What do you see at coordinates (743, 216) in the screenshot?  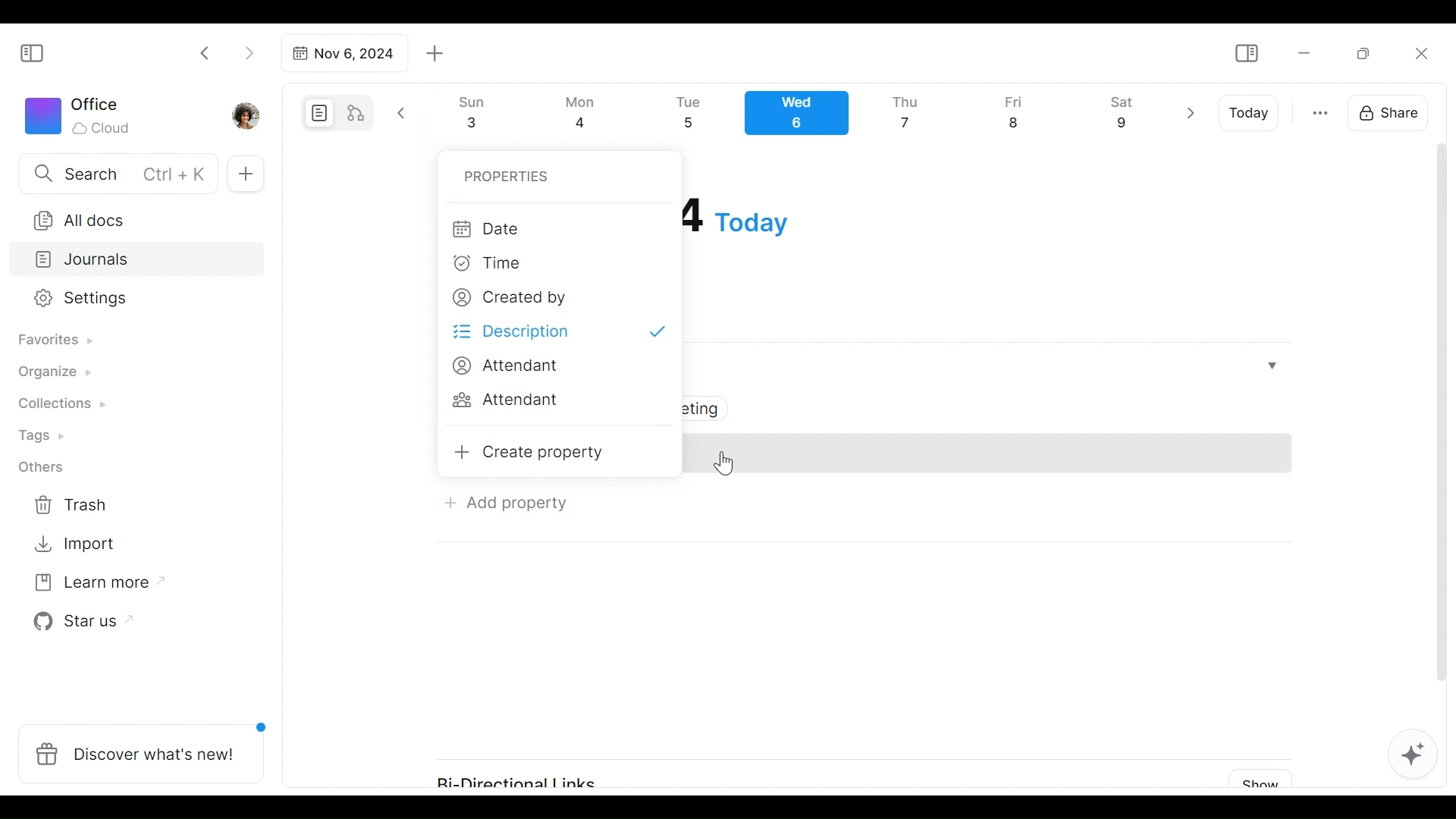 I see `Date` at bounding box center [743, 216].